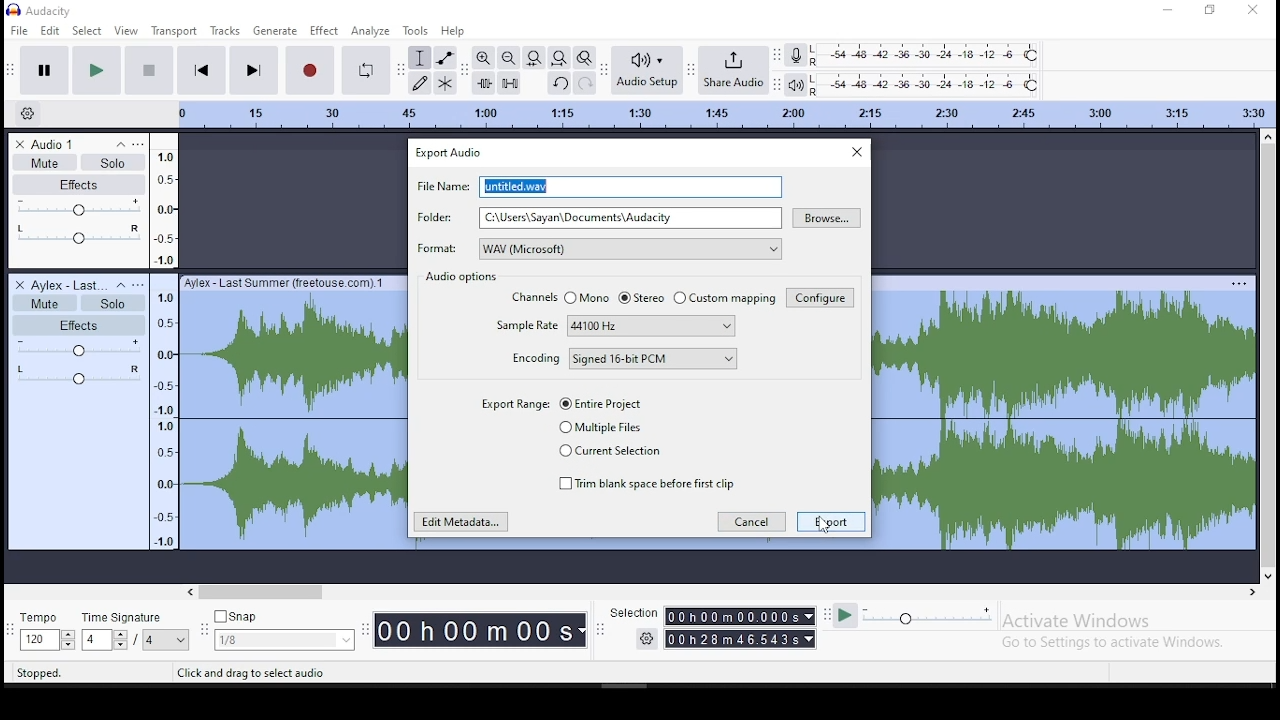 Image resolution: width=1280 pixels, height=720 pixels. Describe the element at coordinates (480, 632) in the screenshot. I see `00h00M00s` at that location.